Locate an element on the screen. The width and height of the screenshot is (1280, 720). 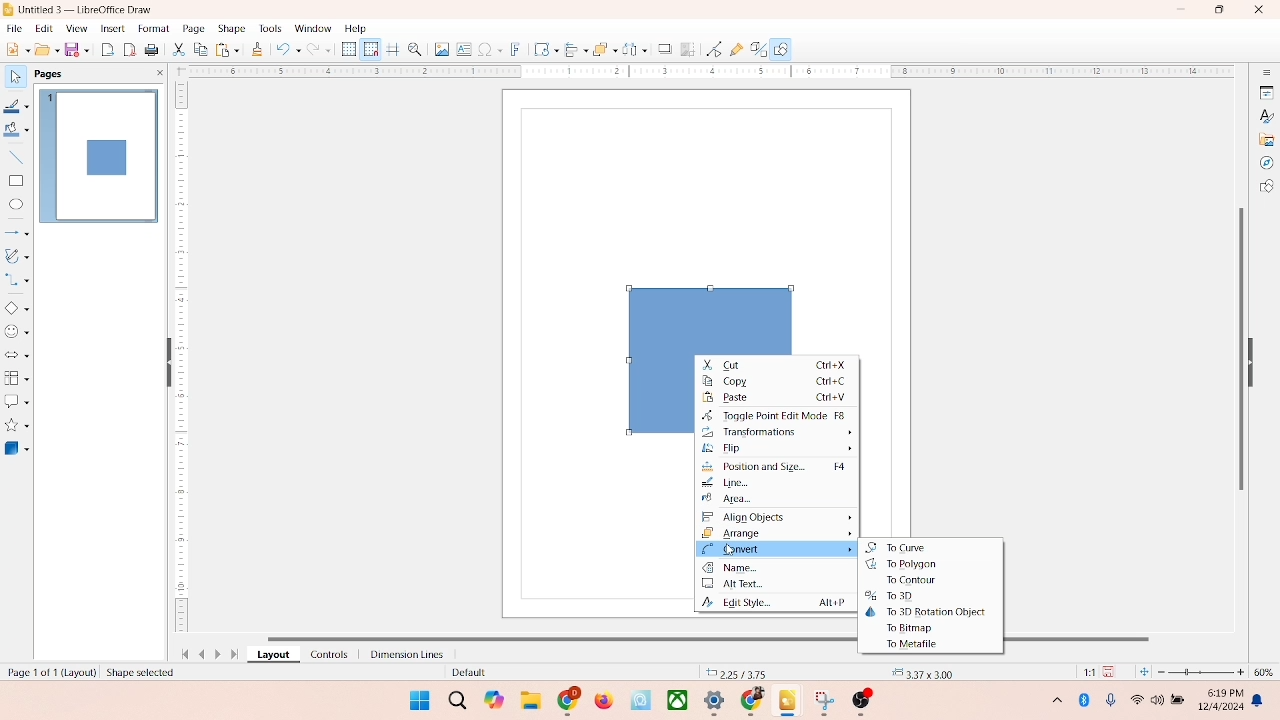
navigator is located at coordinates (1266, 163).